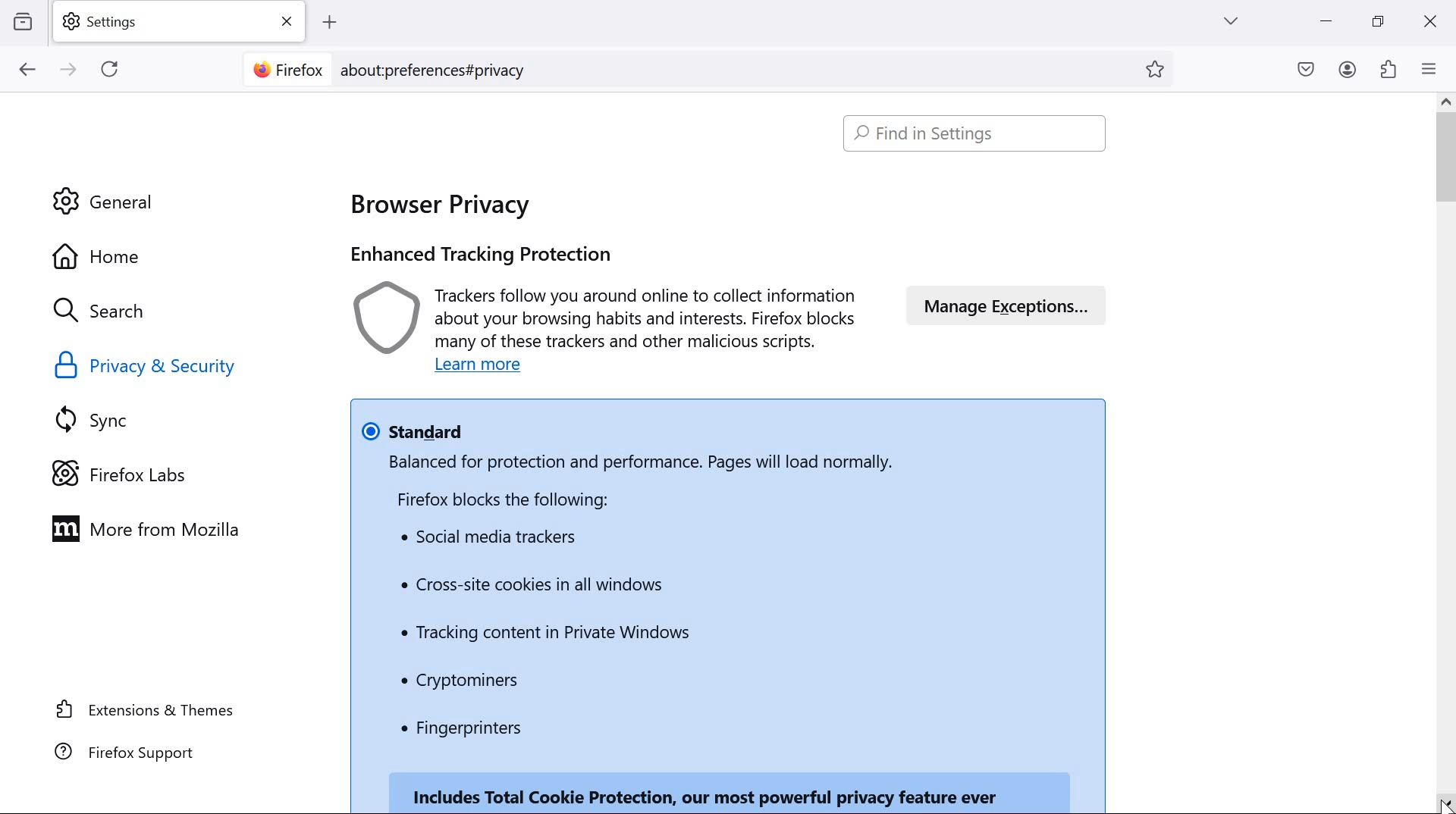 The image size is (1456, 814). What do you see at coordinates (1429, 23) in the screenshot?
I see `close` at bounding box center [1429, 23].